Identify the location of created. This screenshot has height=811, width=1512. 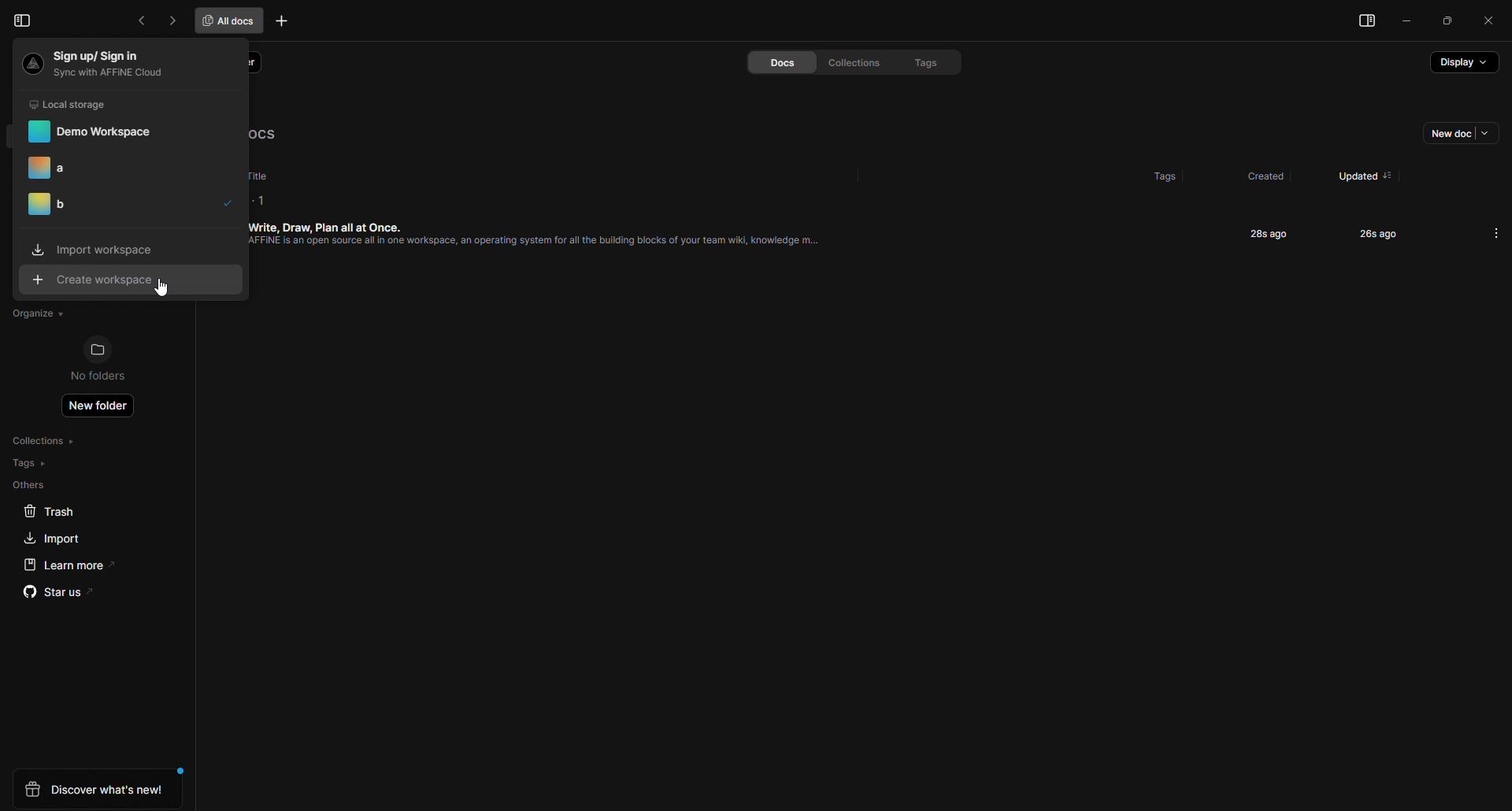
(1262, 176).